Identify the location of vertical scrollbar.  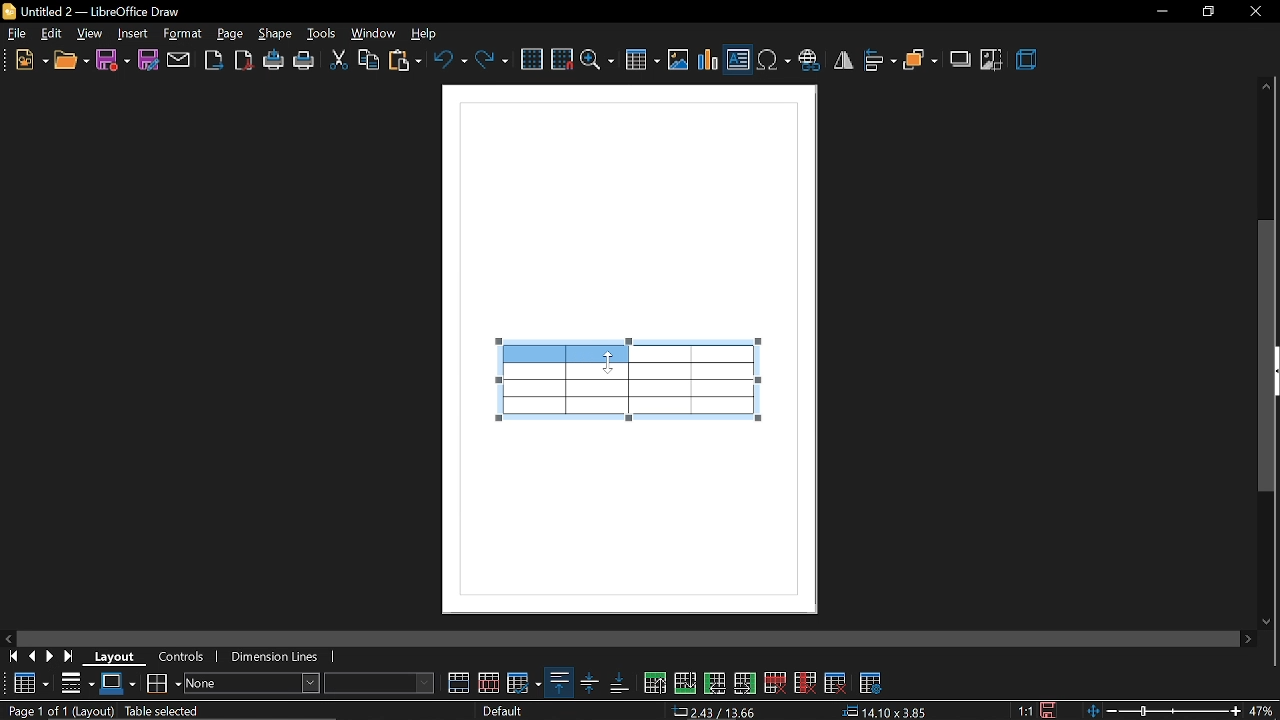
(1267, 356).